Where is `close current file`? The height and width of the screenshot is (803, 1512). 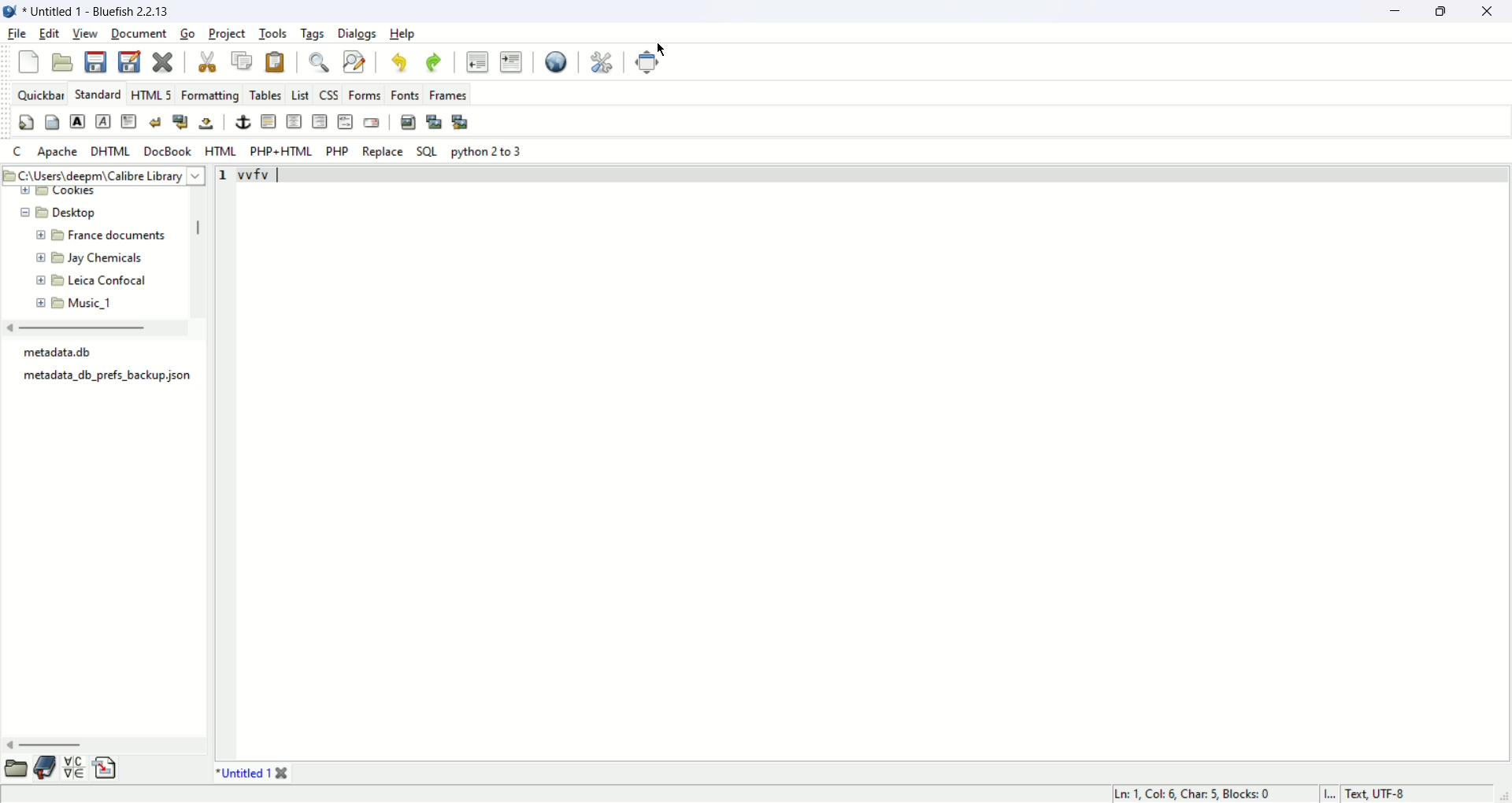
close current file is located at coordinates (161, 63).